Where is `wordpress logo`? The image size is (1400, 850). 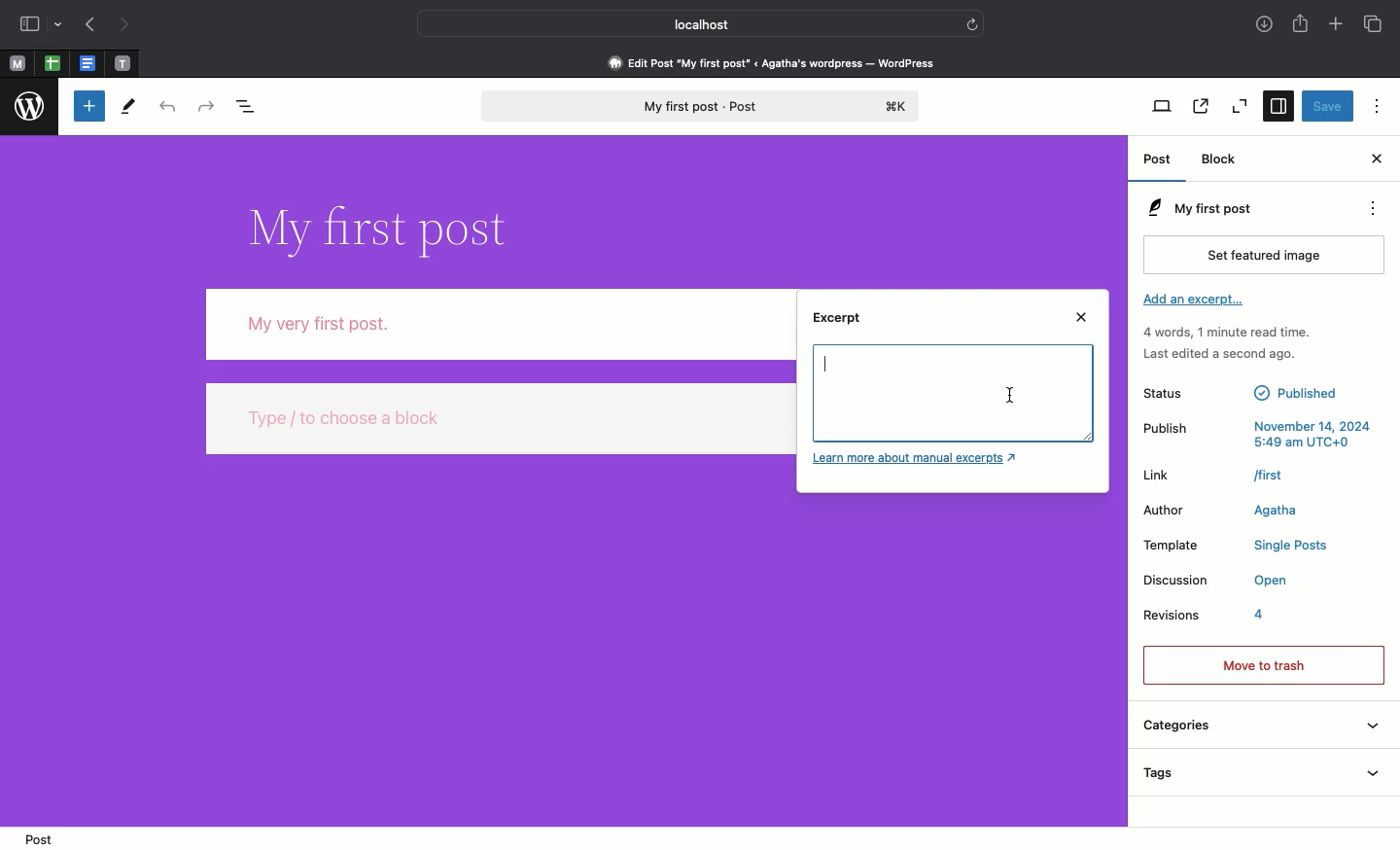
wordpress logo is located at coordinates (31, 107).